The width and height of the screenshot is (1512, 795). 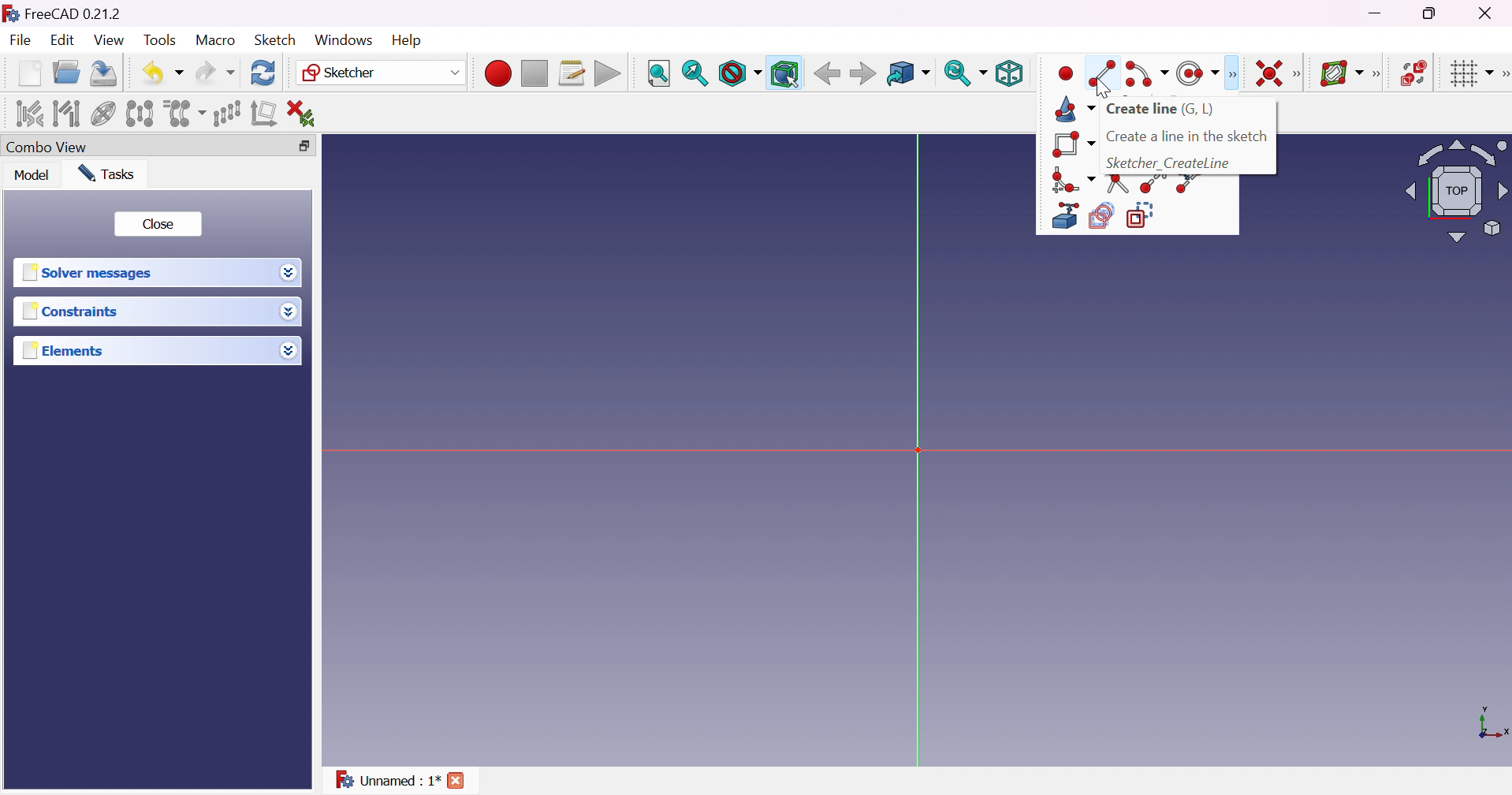 What do you see at coordinates (1343, 73) in the screenshot?
I see `Show/hide B-spline information layer` at bounding box center [1343, 73].